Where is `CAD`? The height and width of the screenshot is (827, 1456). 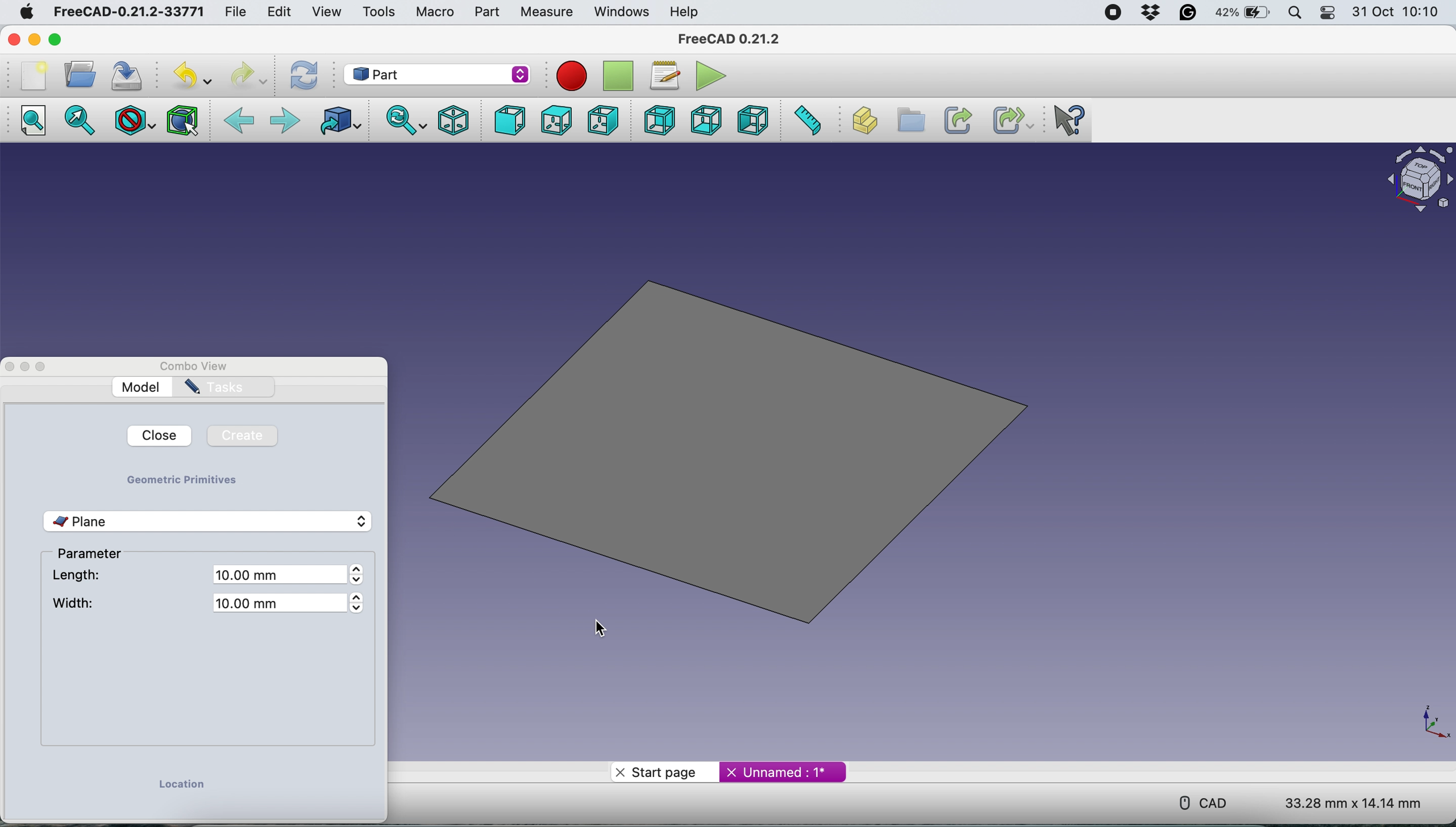
CAD is located at coordinates (1192, 804).